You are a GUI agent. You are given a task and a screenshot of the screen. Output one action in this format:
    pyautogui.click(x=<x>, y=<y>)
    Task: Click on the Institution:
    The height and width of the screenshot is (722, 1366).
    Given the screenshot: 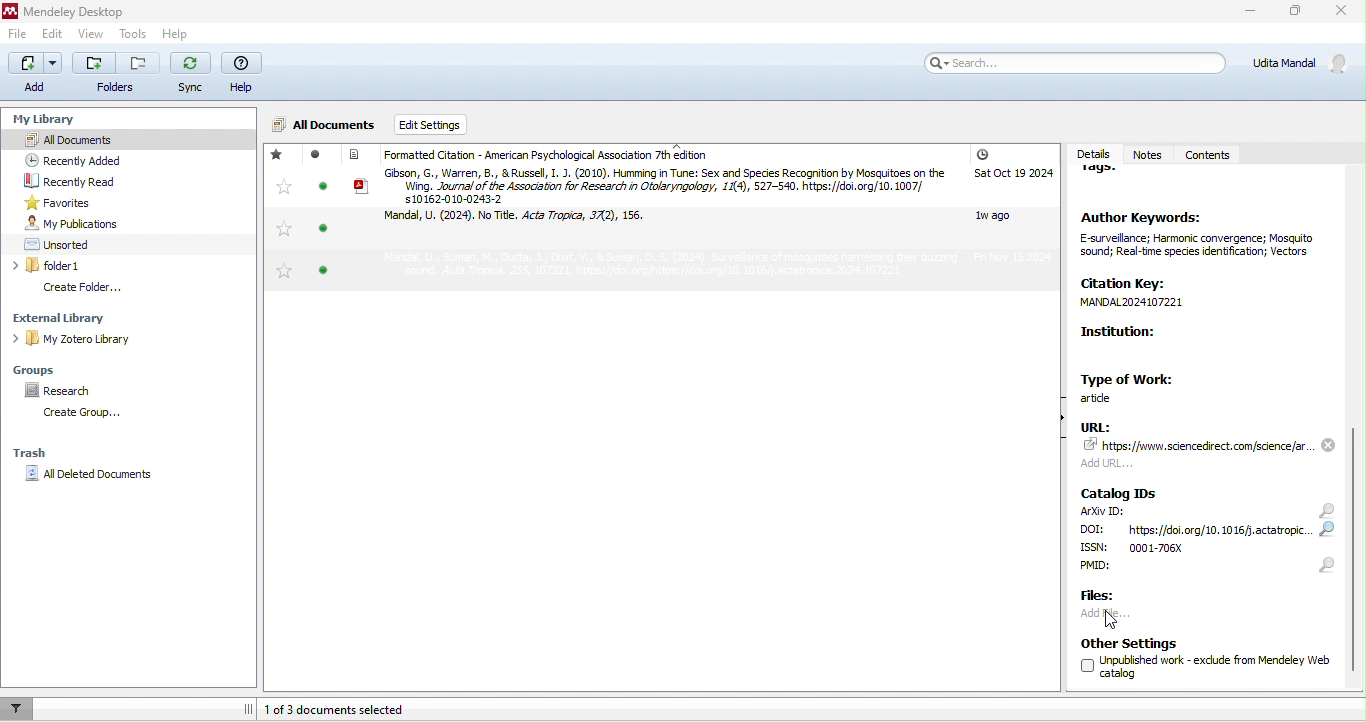 What is the action you would take?
    pyautogui.click(x=1168, y=345)
    